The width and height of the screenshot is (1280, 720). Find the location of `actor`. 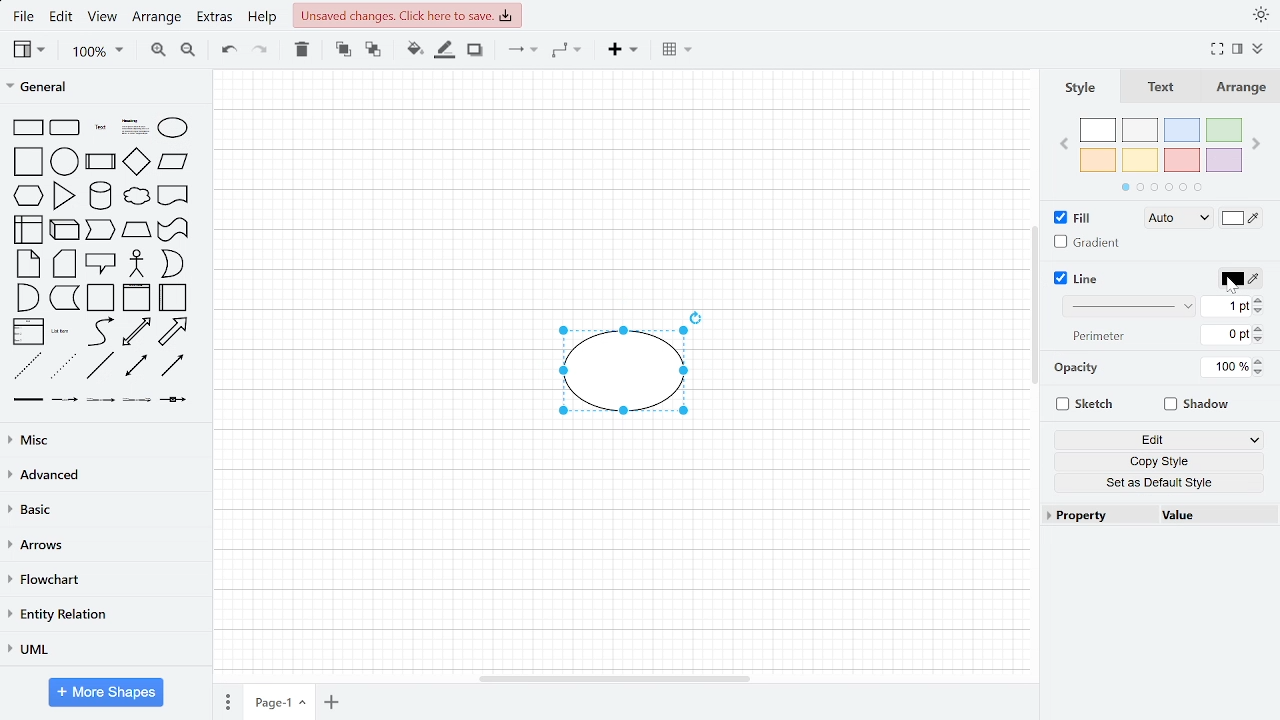

actor is located at coordinates (136, 263).